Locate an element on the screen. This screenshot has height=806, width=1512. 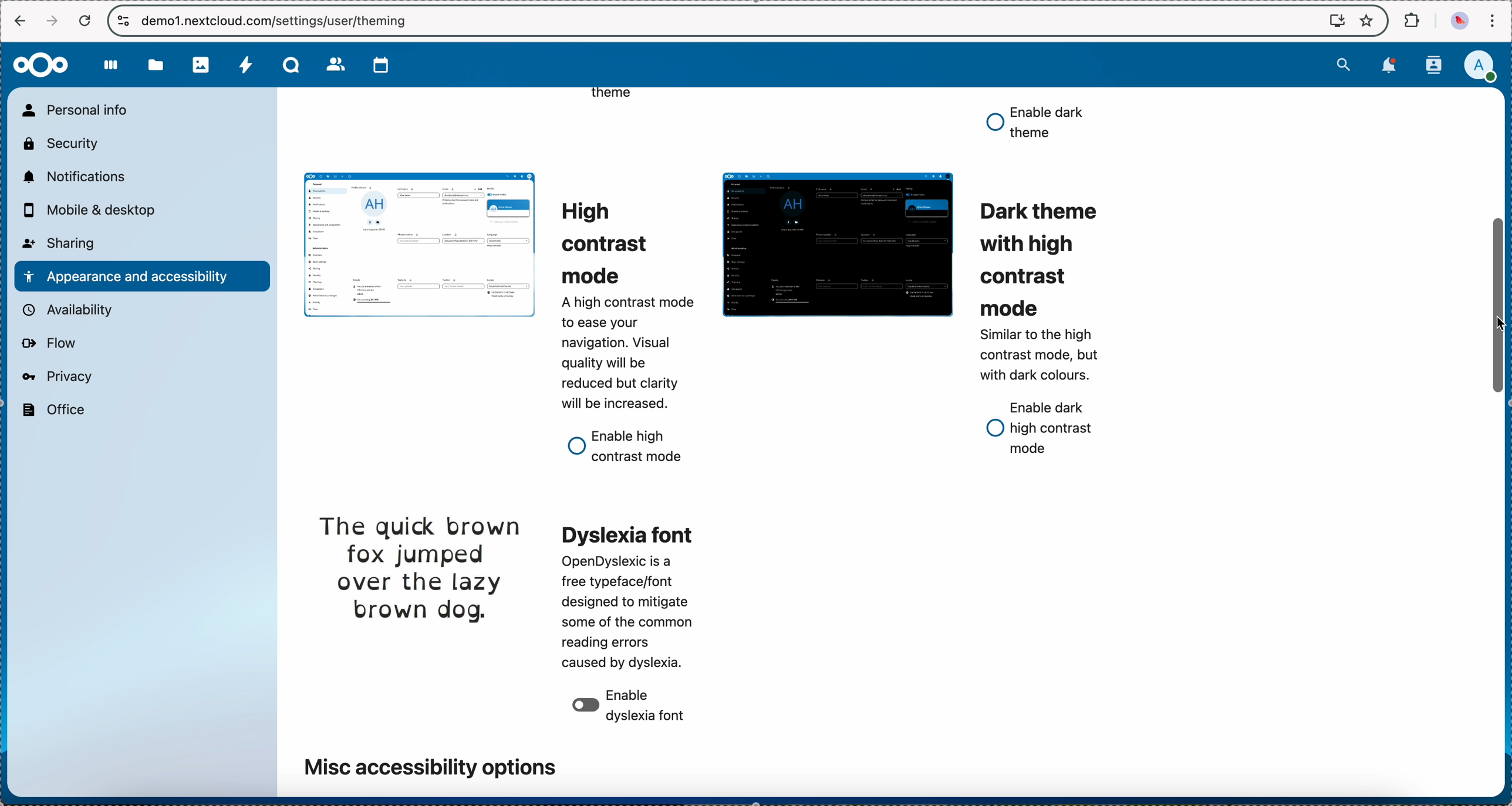
Talk is located at coordinates (289, 66).